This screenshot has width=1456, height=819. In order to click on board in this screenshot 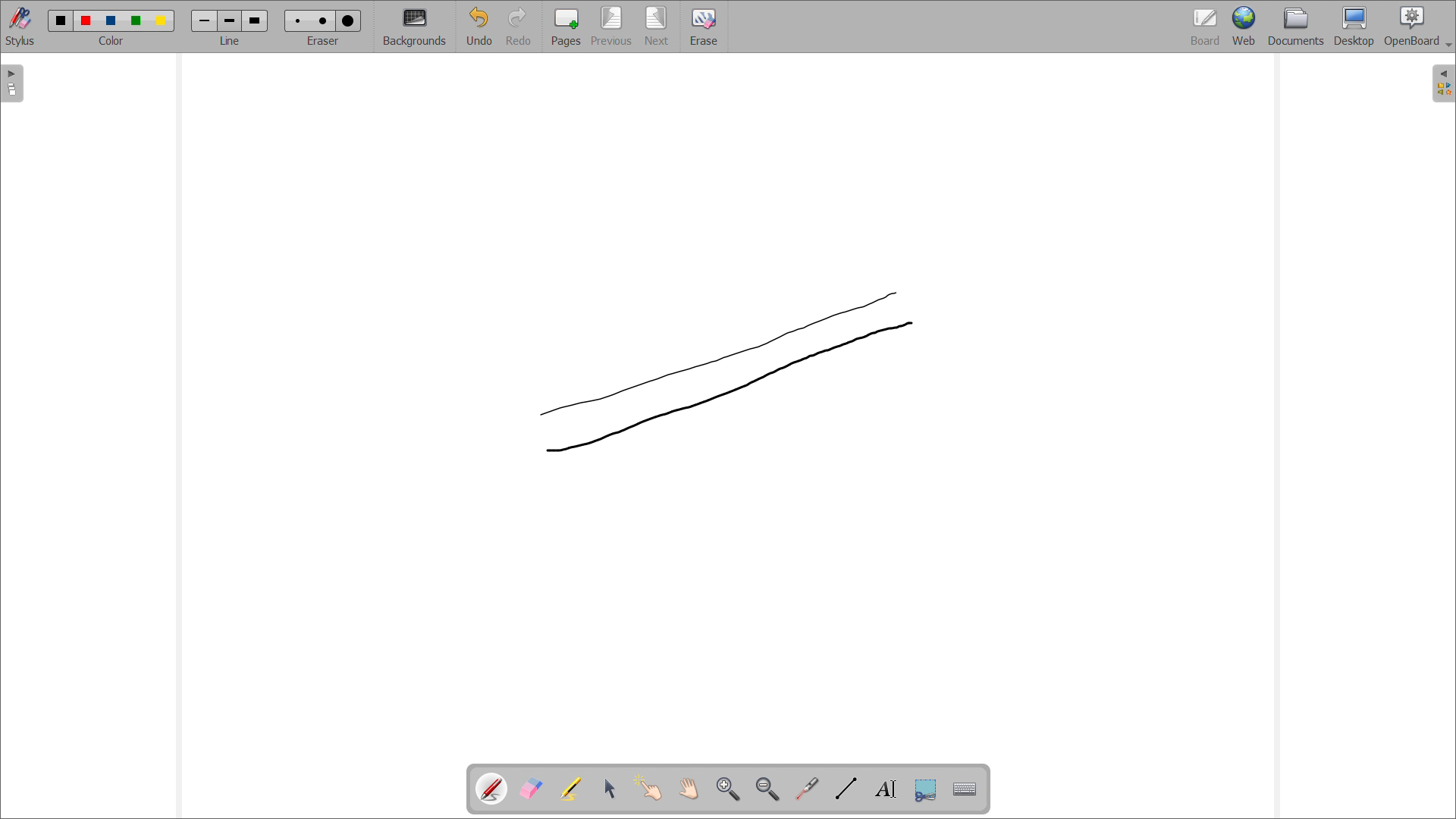, I will do `click(1204, 27)`.